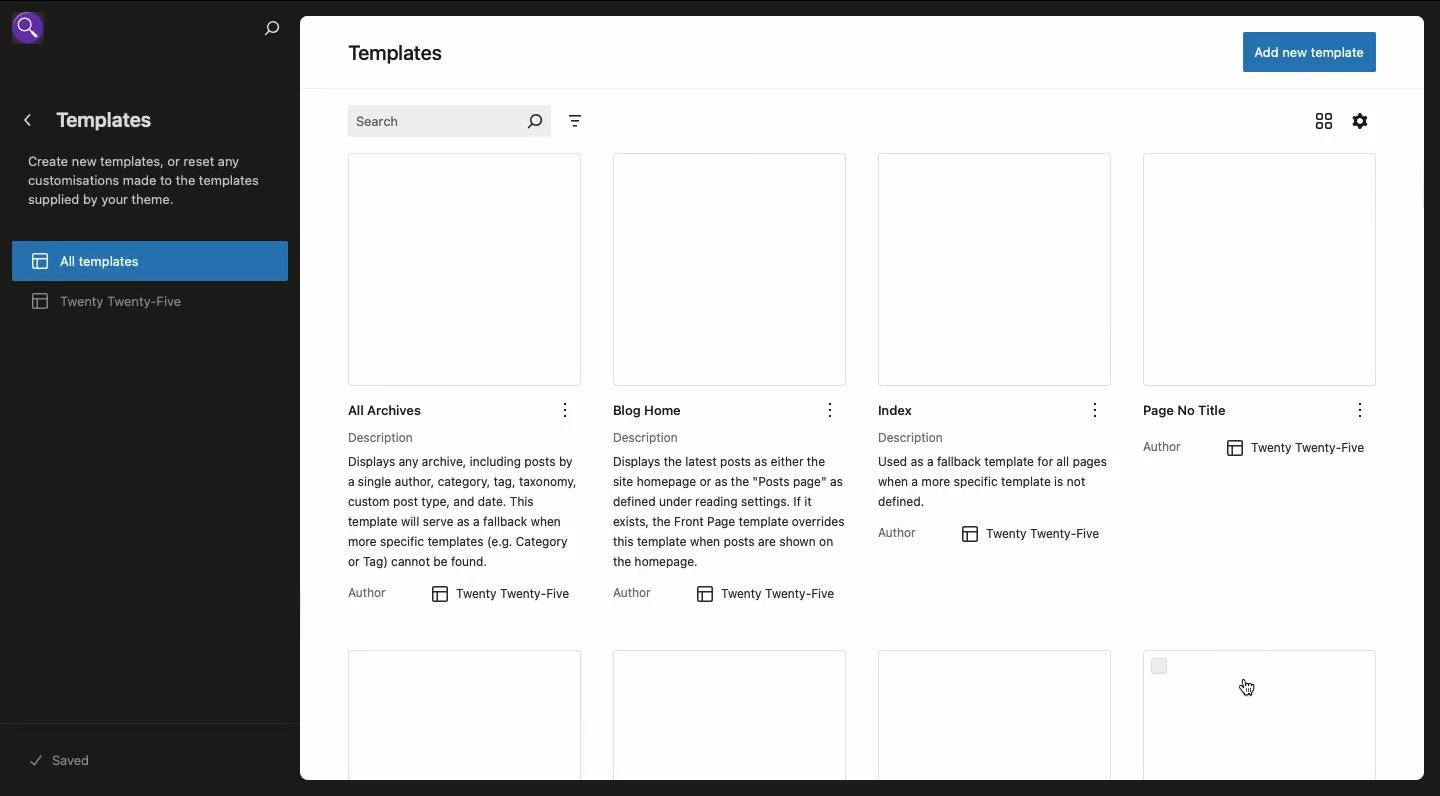 The width and height of the screenshot is (1440, 796). Describe the element at coordinates (379, 594) in the screenshot. I see `Author ` at that location.